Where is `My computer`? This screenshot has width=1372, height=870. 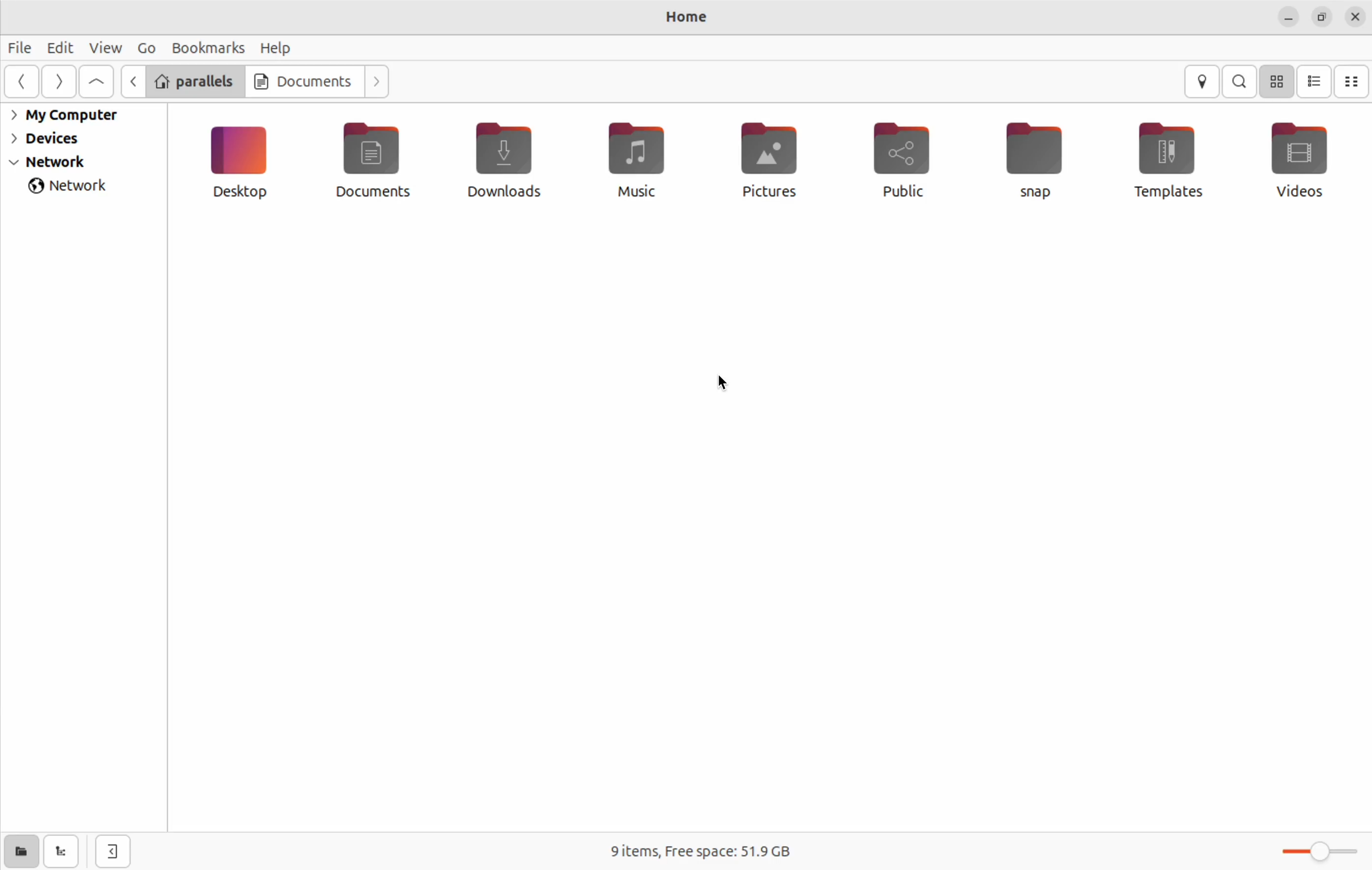
My computer is located at coordinates (71, 116).